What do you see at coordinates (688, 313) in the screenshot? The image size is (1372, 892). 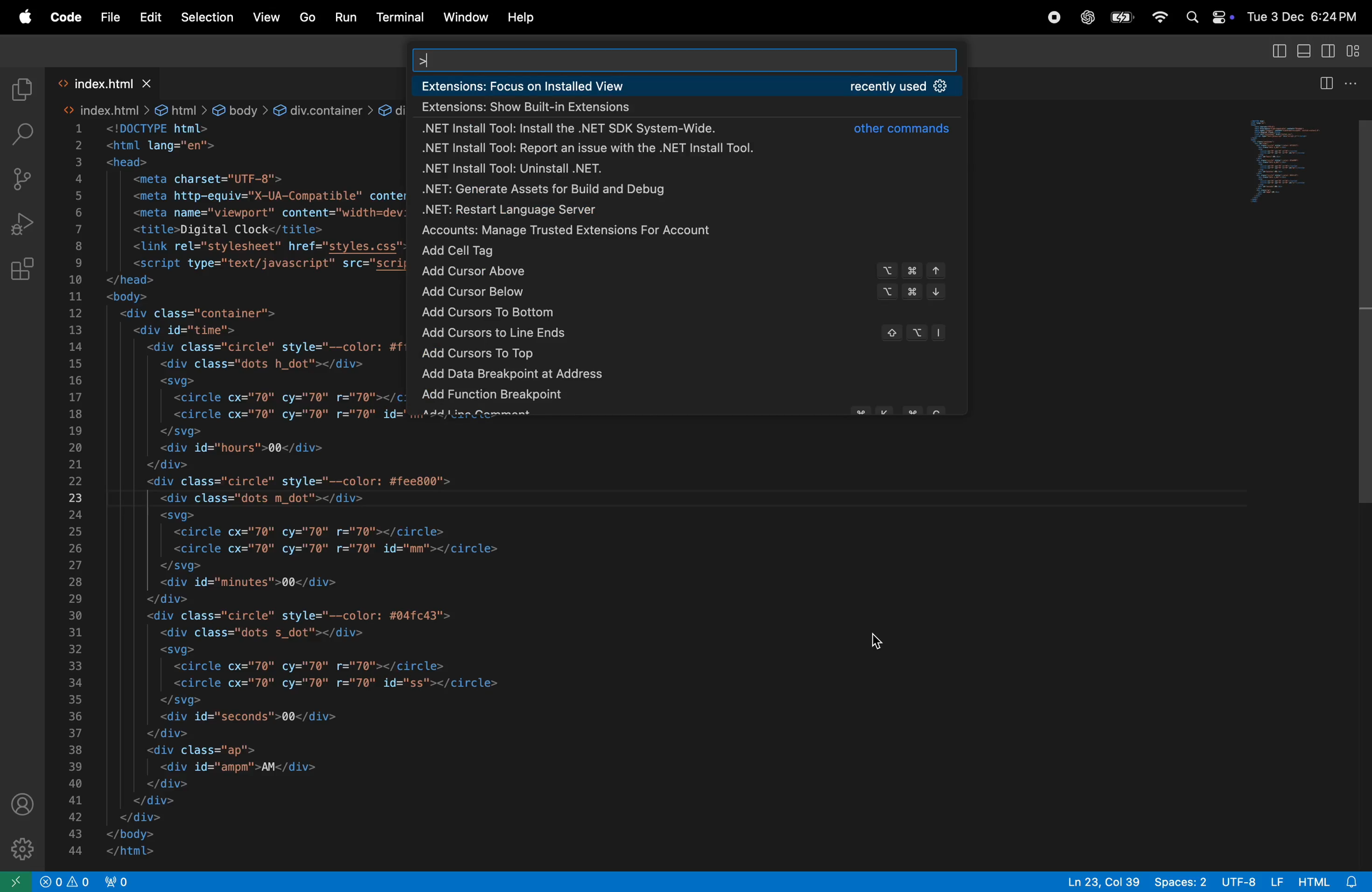 I see `add cursor to bottom` at bounding box center [688, 313].